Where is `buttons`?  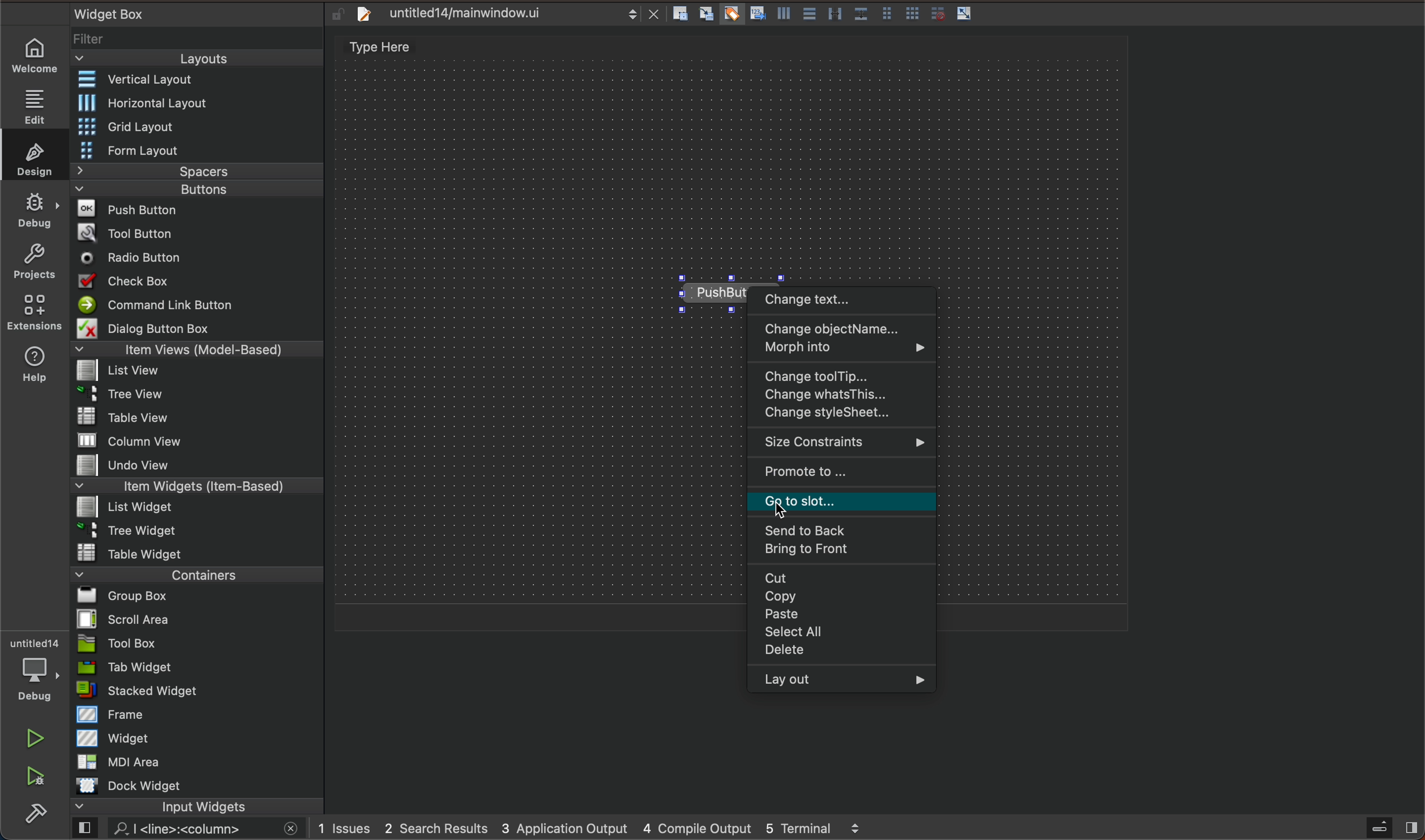 buttons is located at coordinates (194, 191).